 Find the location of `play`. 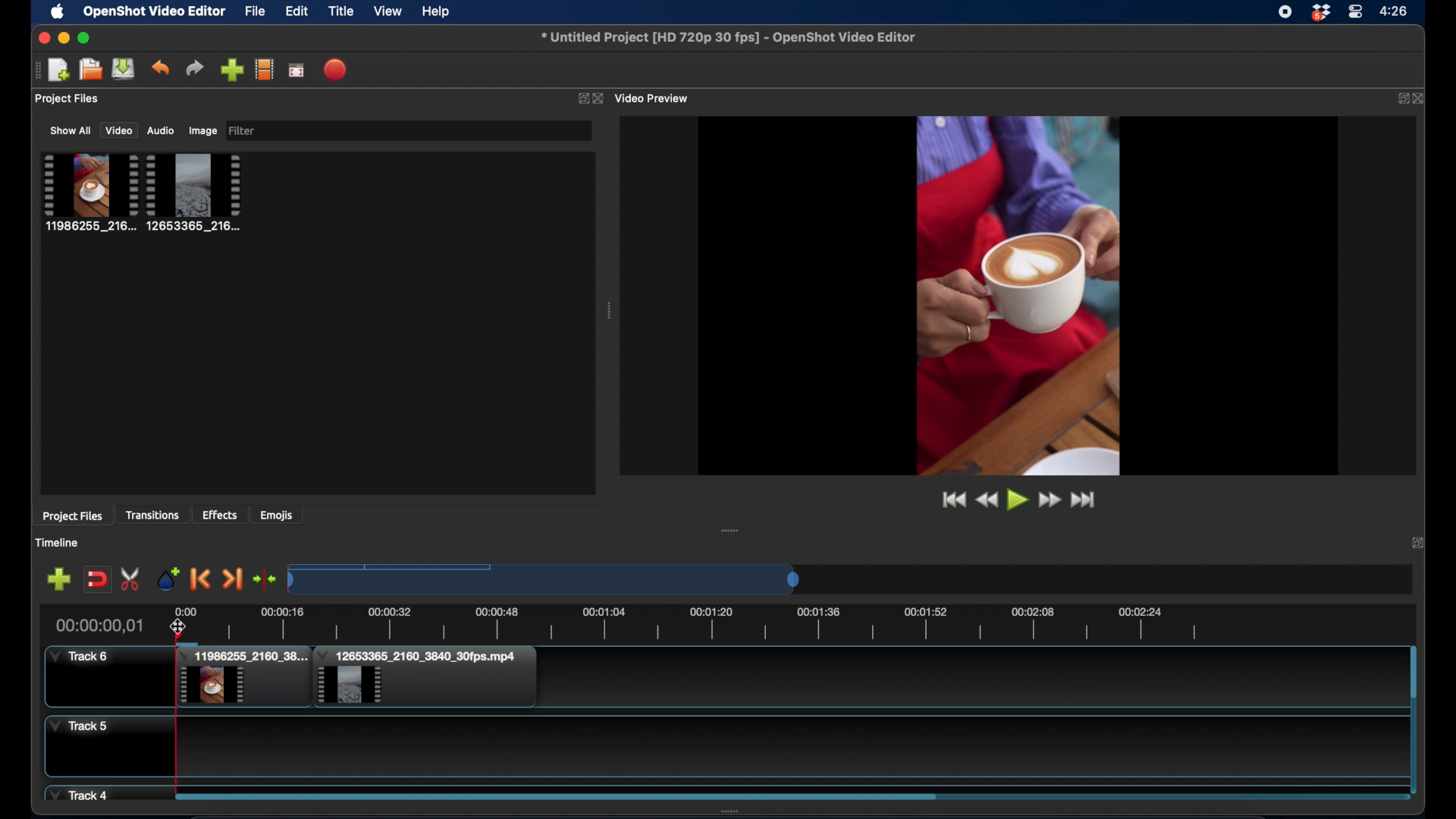

play is located at coordinates (1017, 501).